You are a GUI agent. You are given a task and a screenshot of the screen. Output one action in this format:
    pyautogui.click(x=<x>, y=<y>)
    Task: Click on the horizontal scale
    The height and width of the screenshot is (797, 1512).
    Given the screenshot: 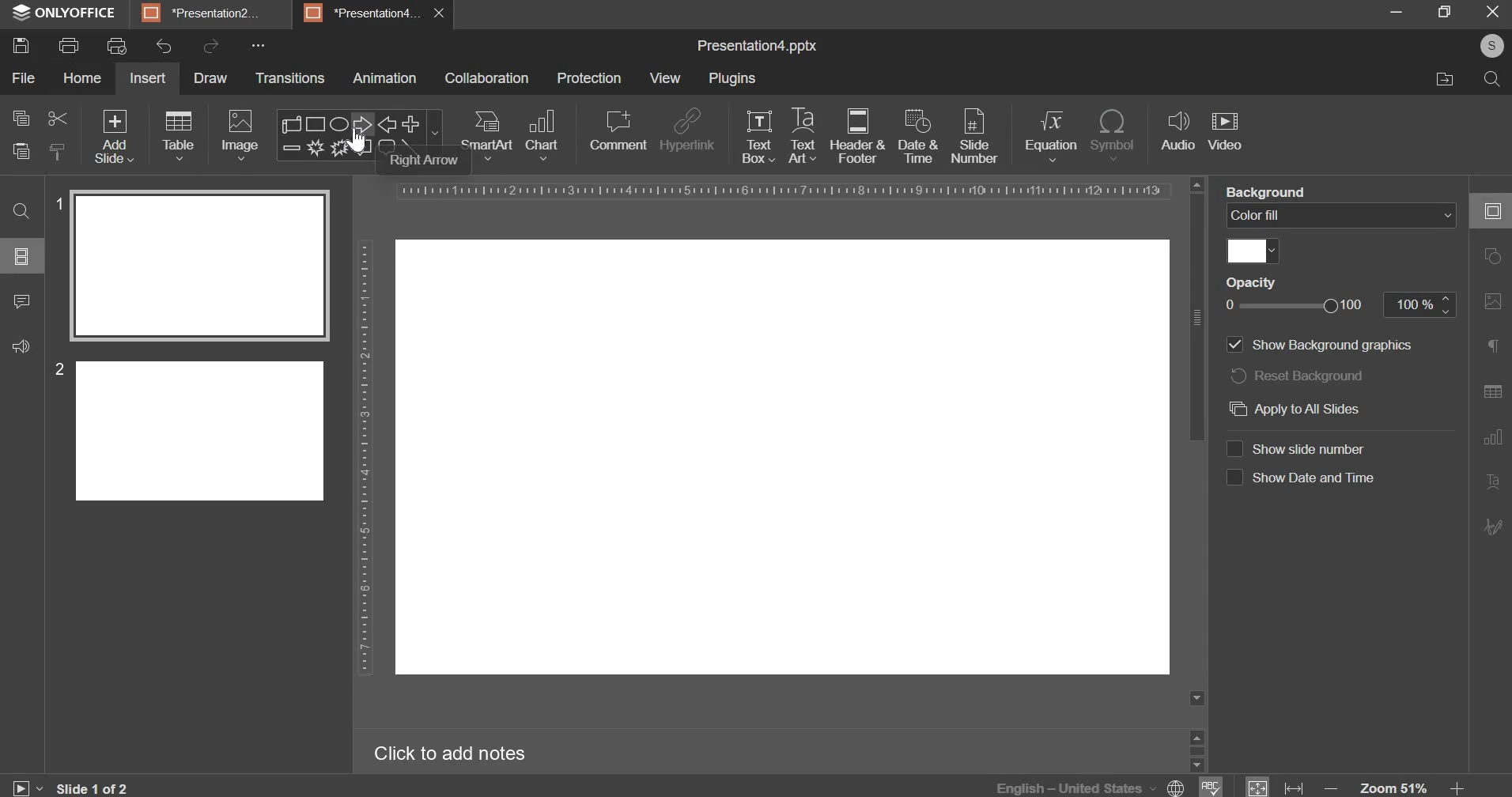 What is the action you would take?
    pyautogui.click(x=784, y=190)
    